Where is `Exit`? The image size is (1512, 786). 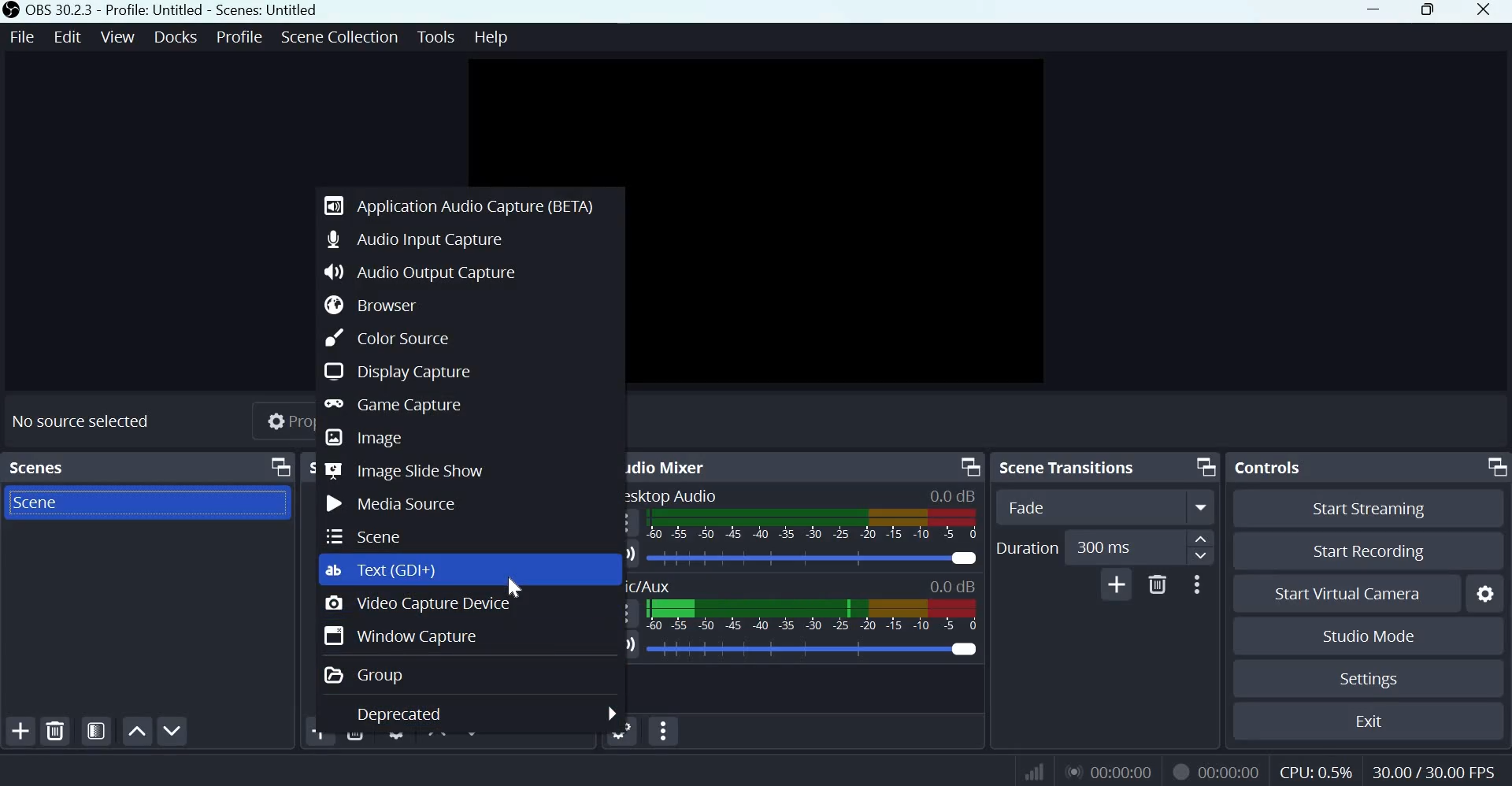
Exit is located at coordinates (1373, 721).